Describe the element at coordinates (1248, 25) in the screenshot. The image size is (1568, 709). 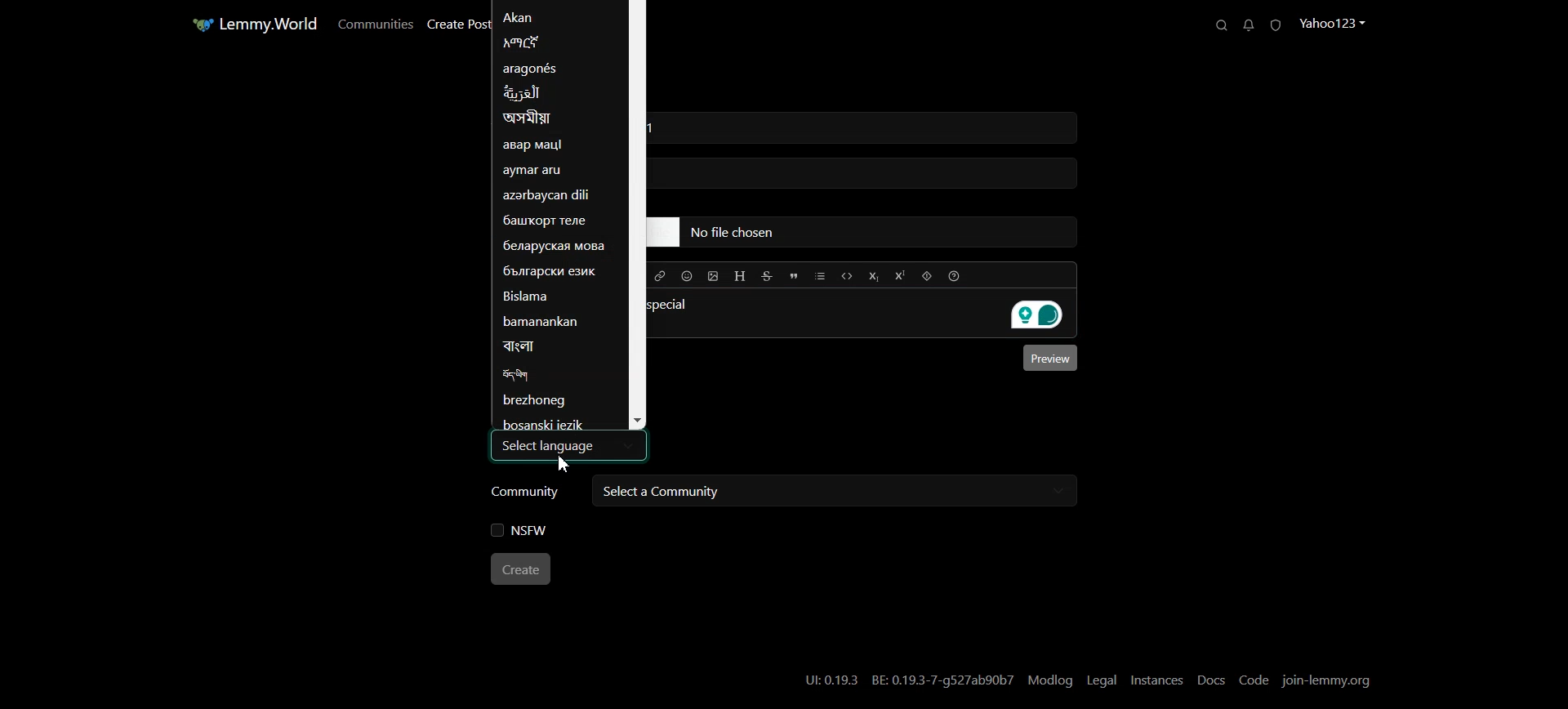
I see `Unread Messages` at that location.